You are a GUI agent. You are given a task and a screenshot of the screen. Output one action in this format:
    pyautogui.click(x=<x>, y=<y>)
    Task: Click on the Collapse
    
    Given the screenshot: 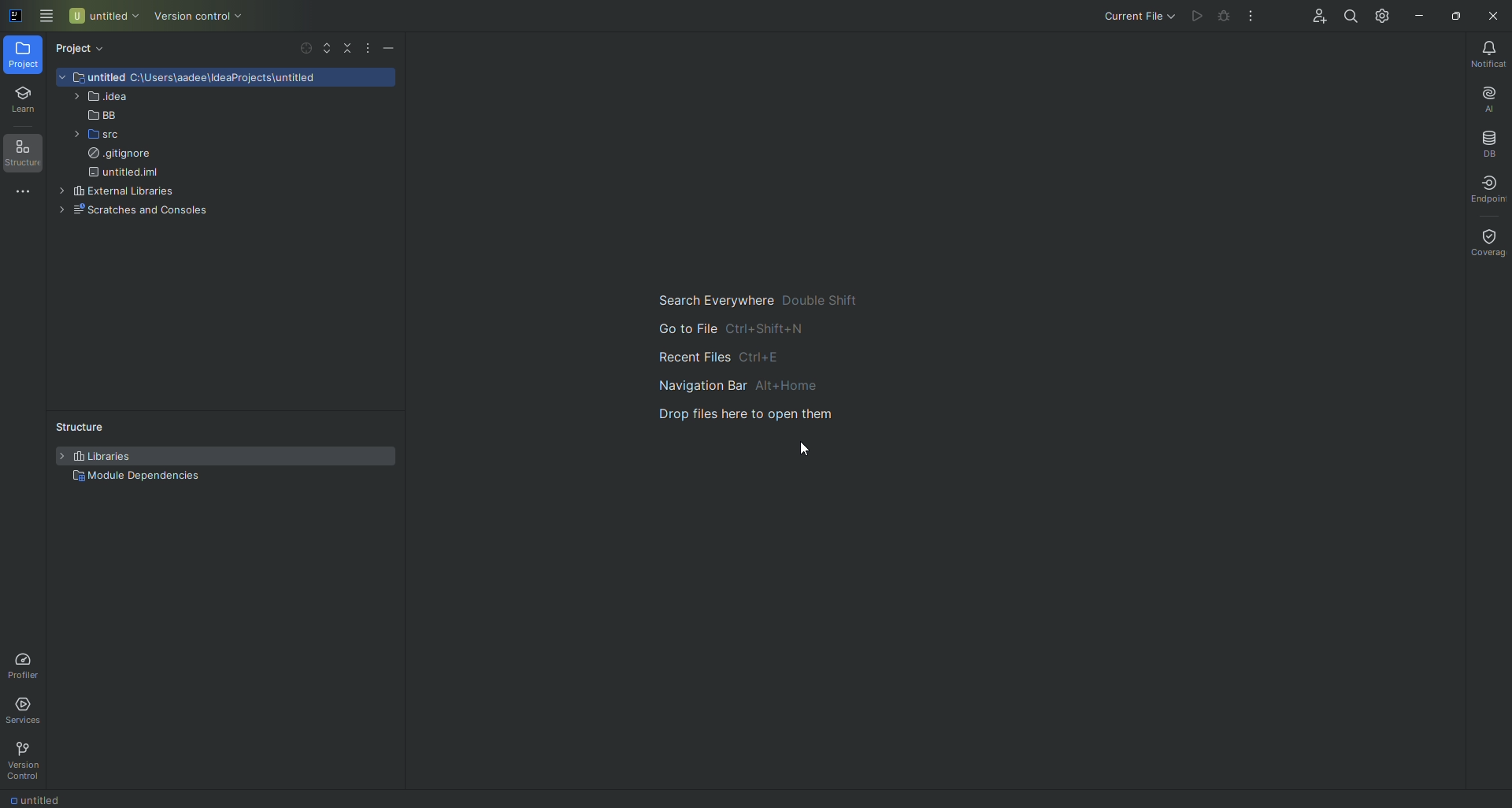 What is the action you would take?
    pyautogui.click(x=347, y=49)
    